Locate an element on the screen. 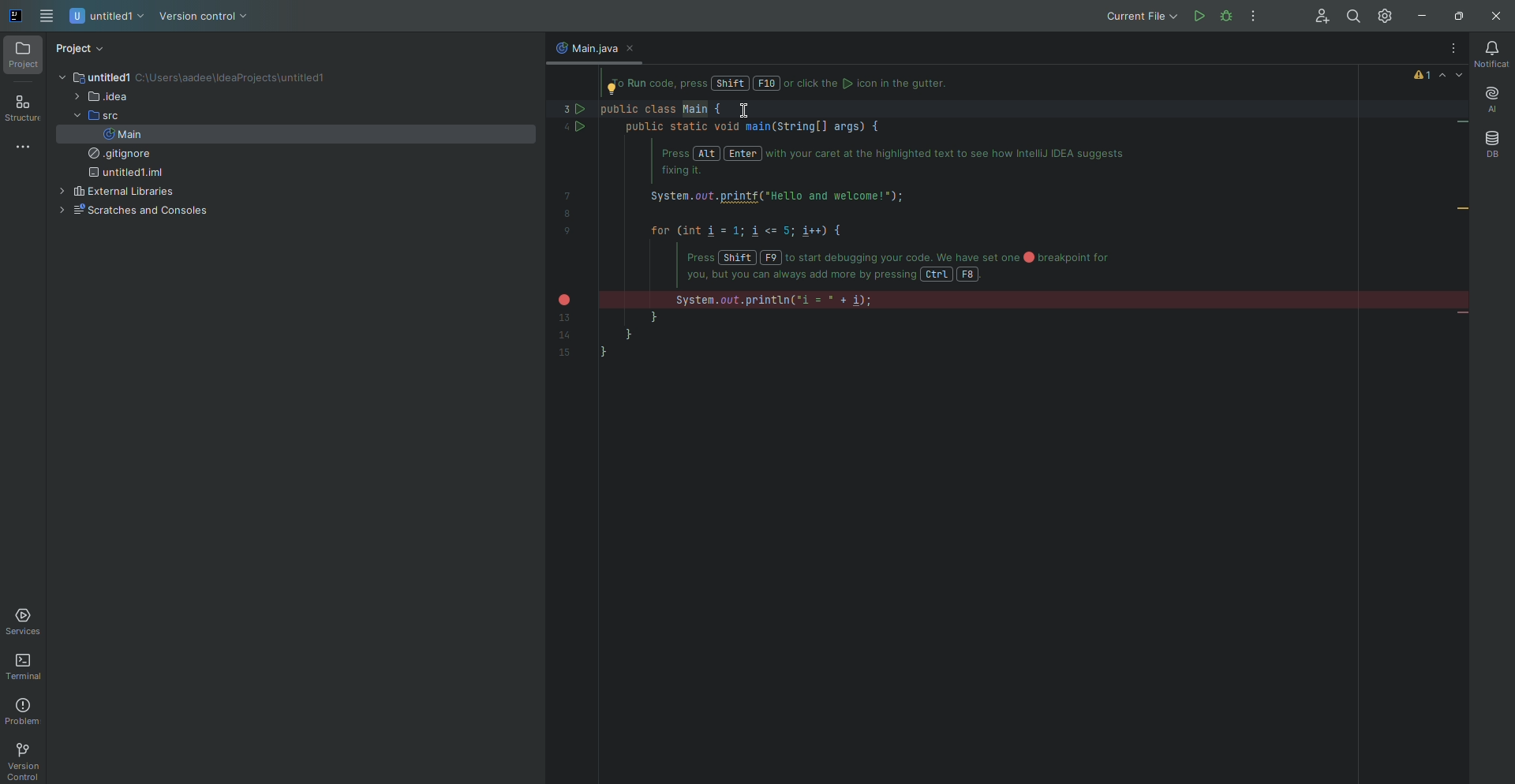  Close is located at coordinates (1493, 17).